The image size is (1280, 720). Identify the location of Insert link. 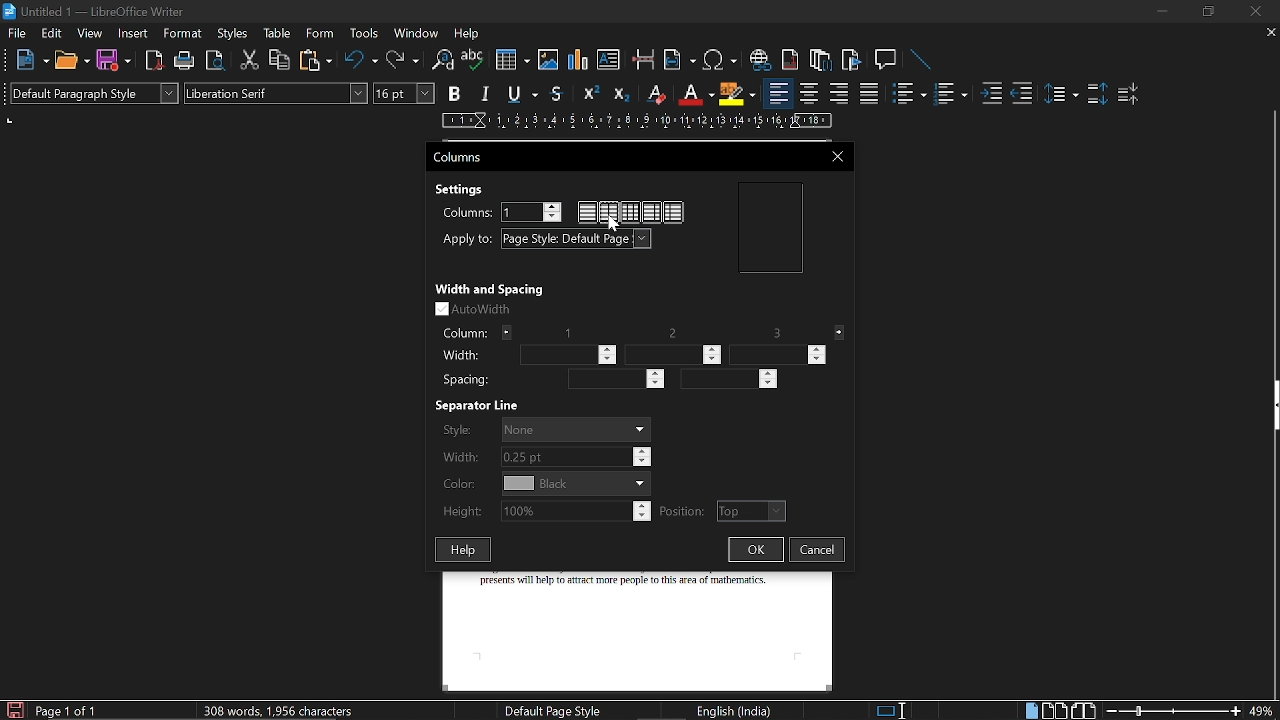
(759, 60).